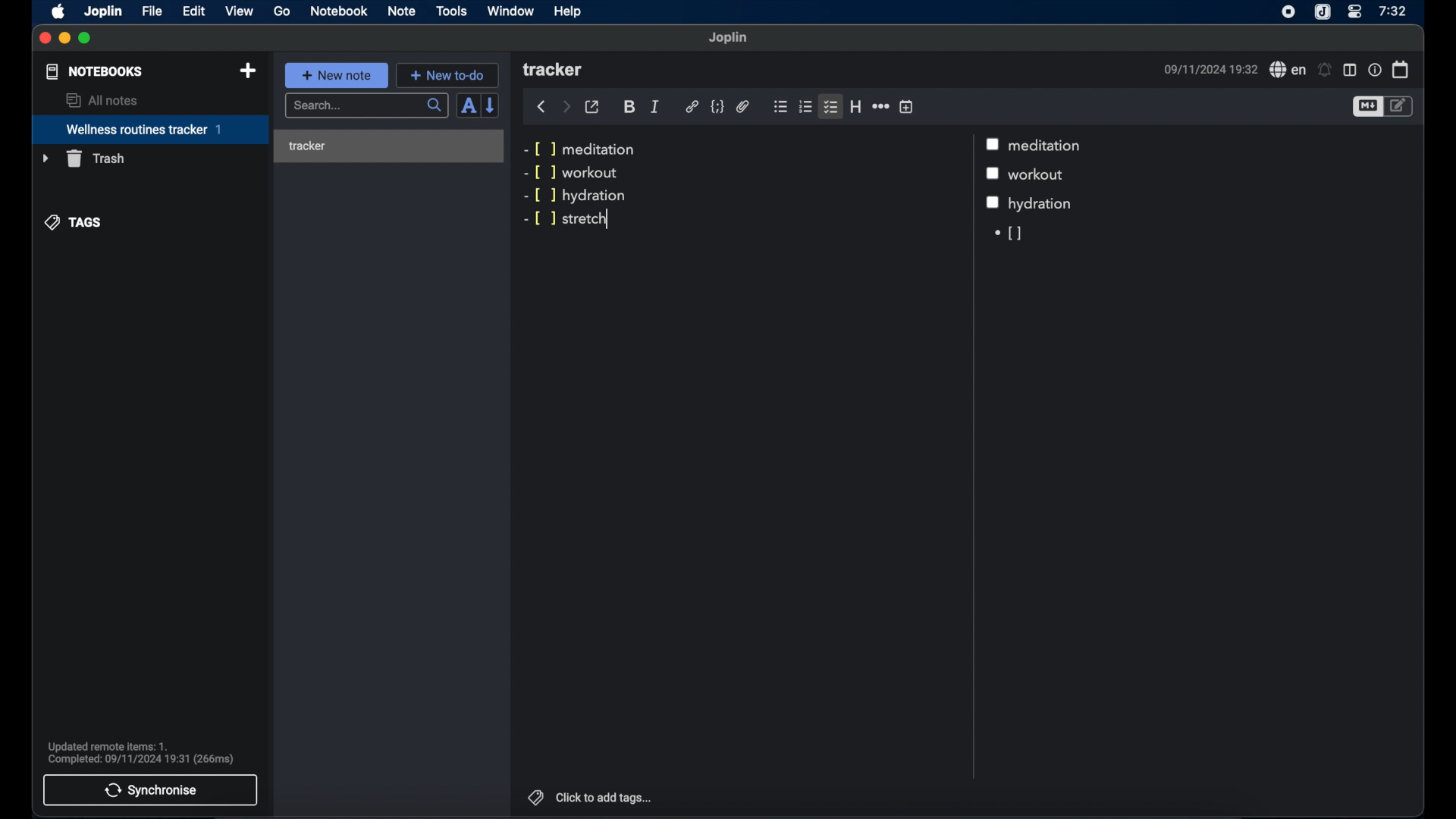 Image resolution: width=1456 pixels, height=819 pixels. Describe the element at coordinates (104, 12) in the screenshot. I see `joplin` at that location.